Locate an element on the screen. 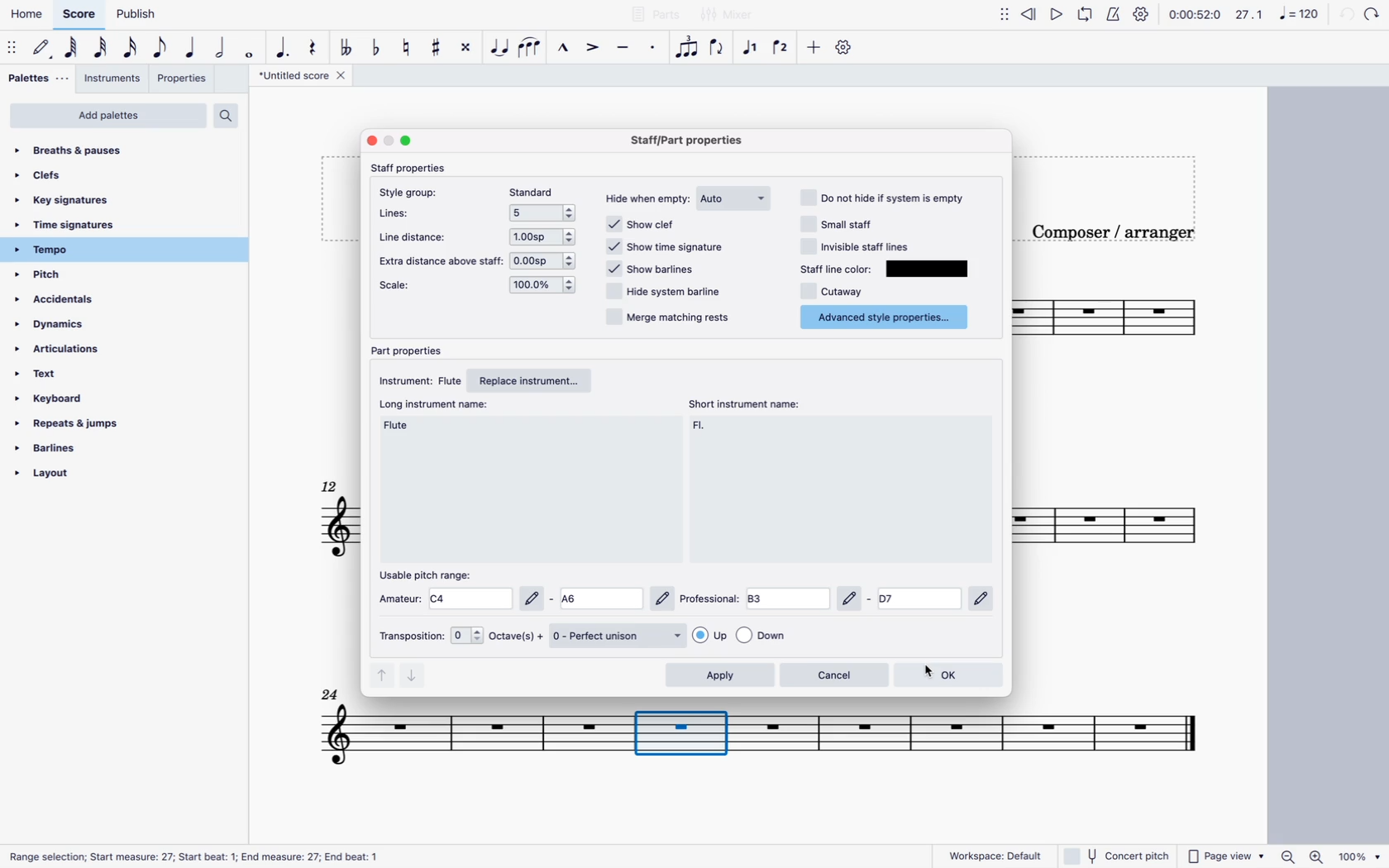 This screenshot has height=868, width=1389. double toggle flat is located at coordinates (346, 48).